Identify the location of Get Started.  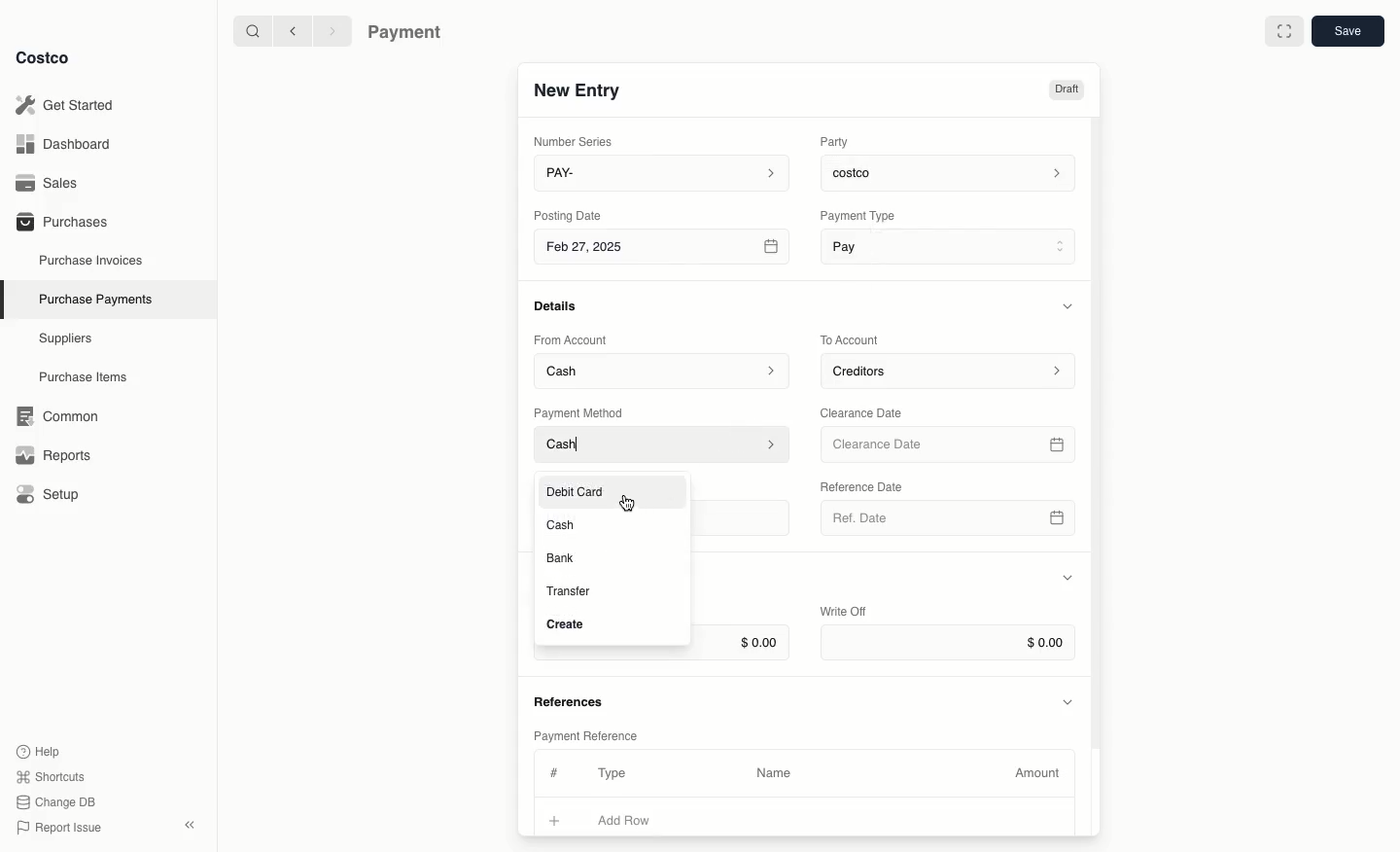
(69, 105).